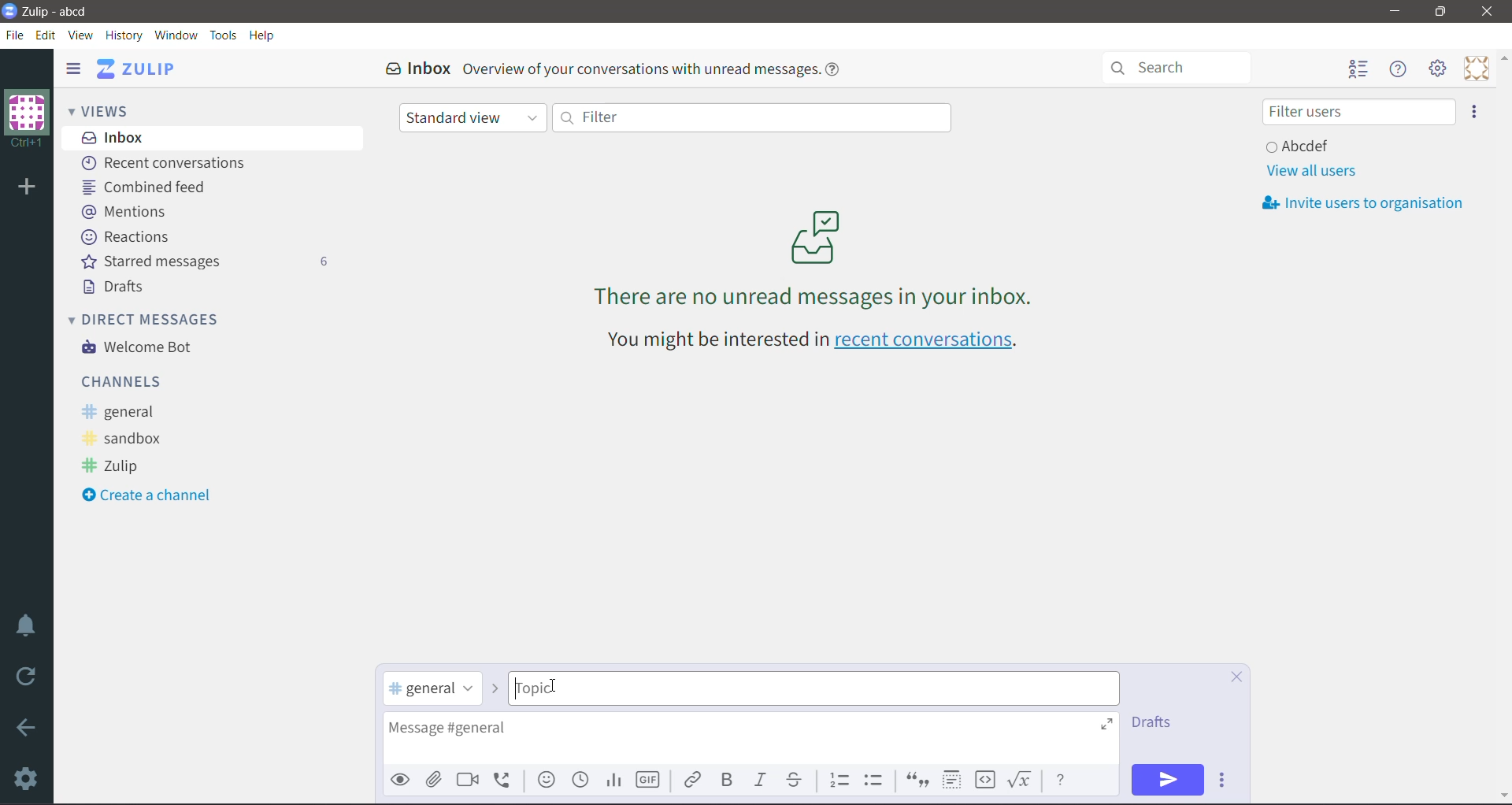 The width and height of the screenshot is (1512, 805). What do you see at coordinates (169, 164) in the screenshot?
I see `Recent conversations` at bounding box center [169, 164].